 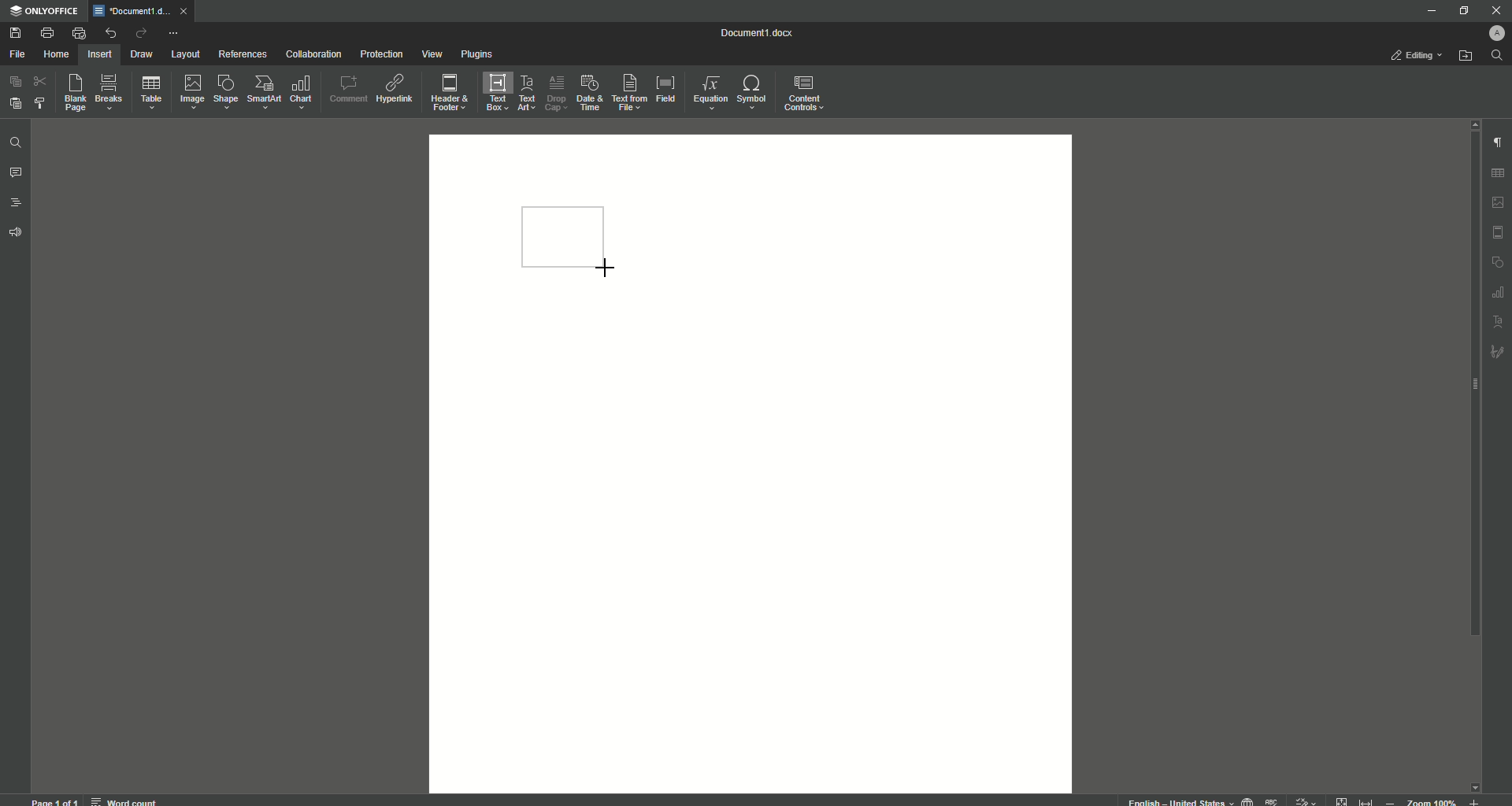 I want to click on Content Controls, so click(x=806, y=95).